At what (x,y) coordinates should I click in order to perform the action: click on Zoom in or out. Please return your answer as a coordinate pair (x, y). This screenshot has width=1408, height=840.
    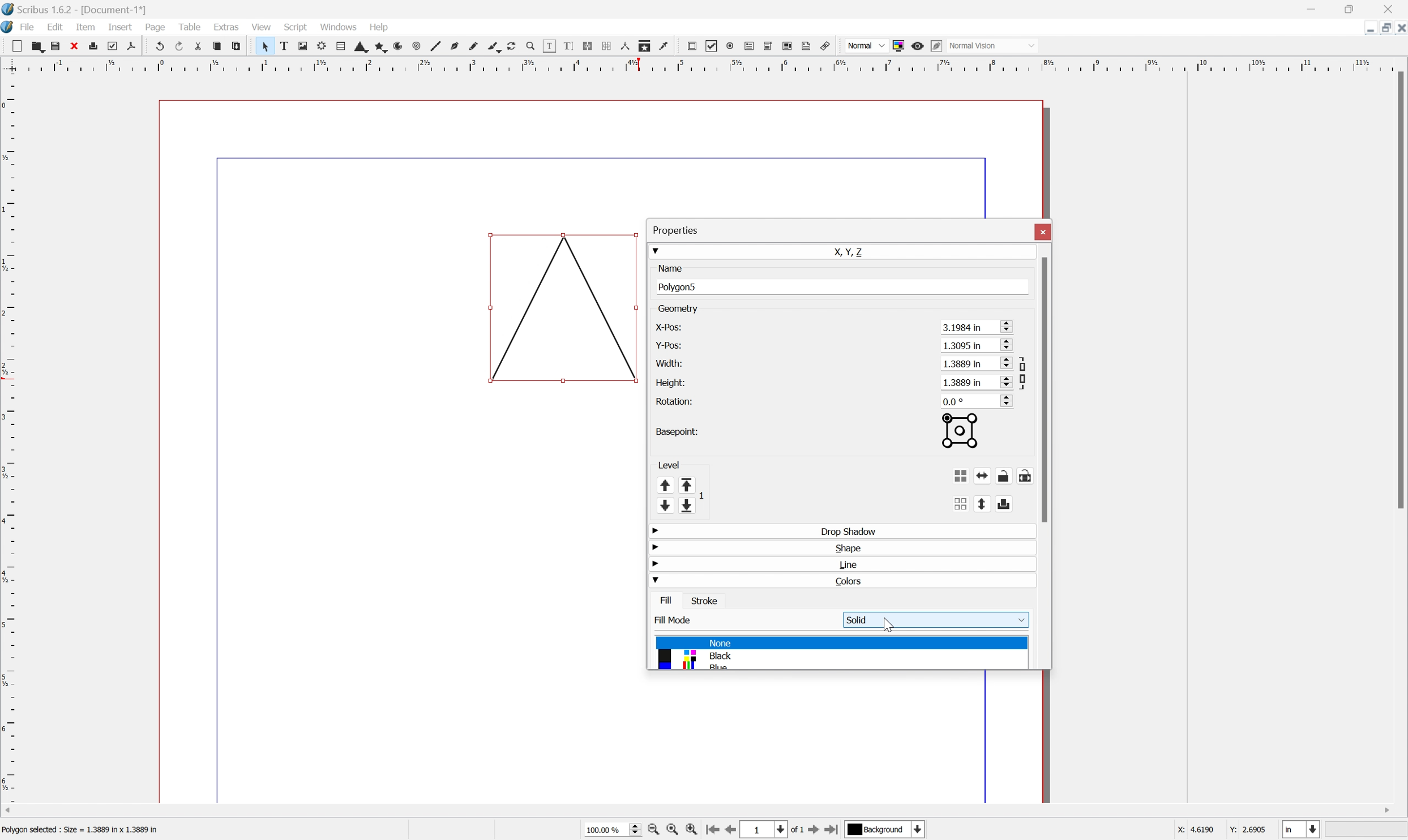
    Looking at the image, I should click on (529, 45).